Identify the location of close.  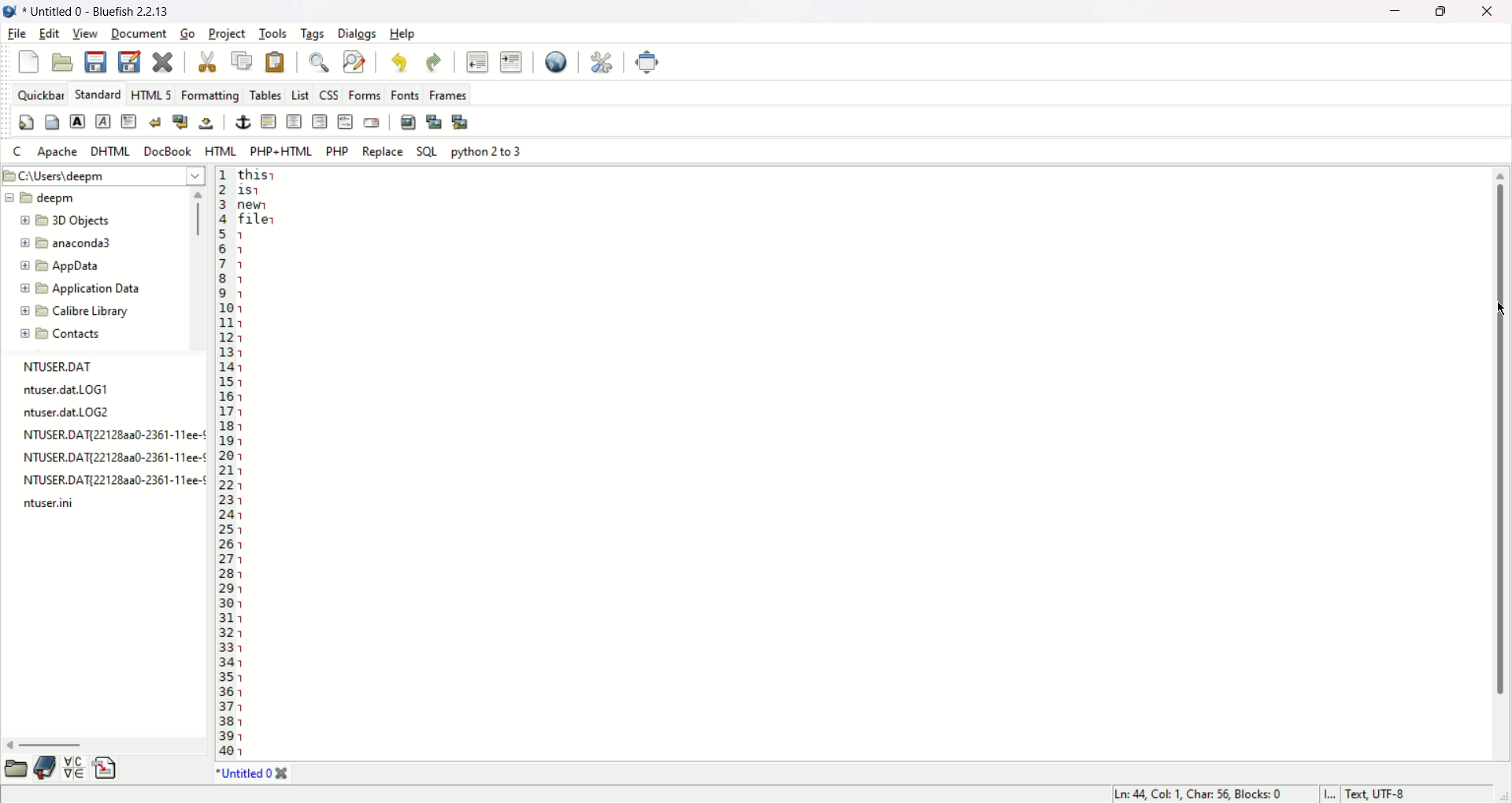
(164, 63).